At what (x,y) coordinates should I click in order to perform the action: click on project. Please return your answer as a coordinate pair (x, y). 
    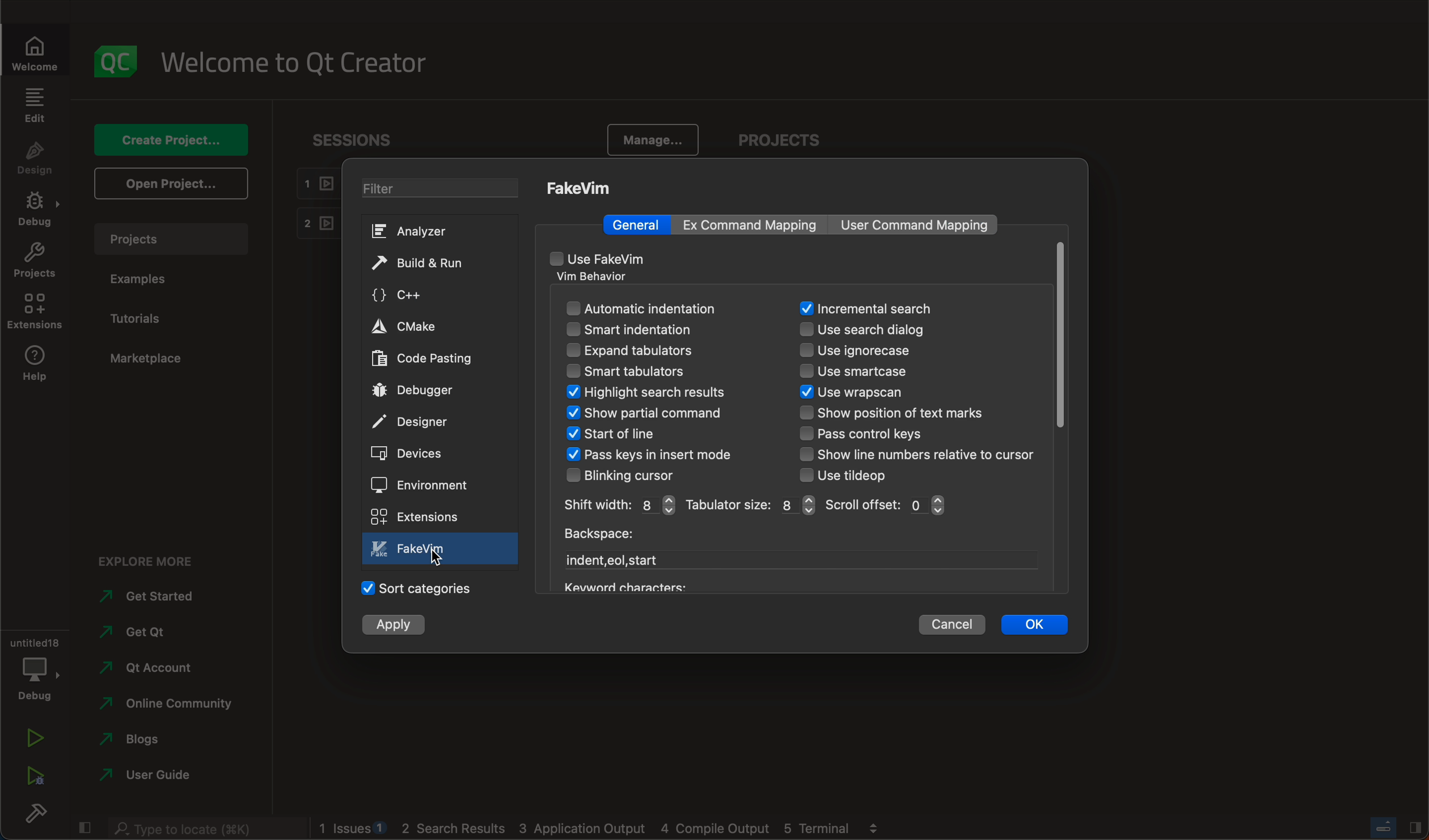
    Looking at the image, I should click on (169, 238).